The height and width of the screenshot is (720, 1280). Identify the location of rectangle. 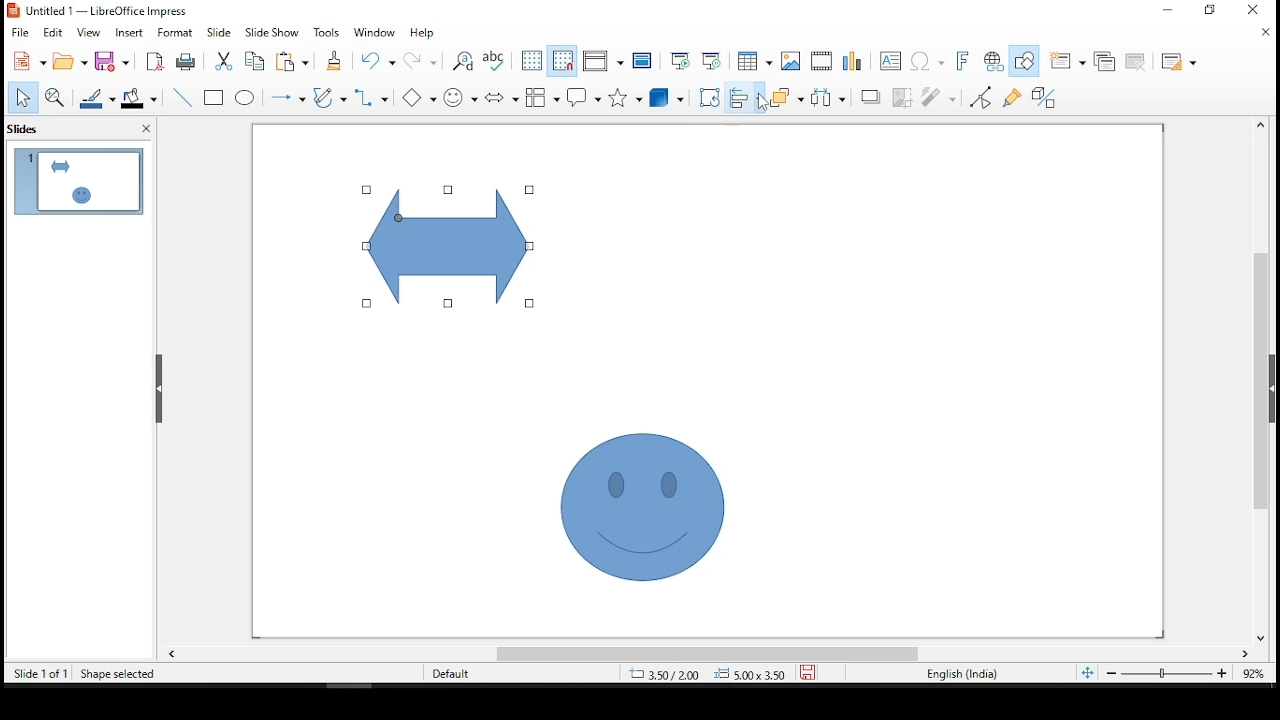
(216, 99).